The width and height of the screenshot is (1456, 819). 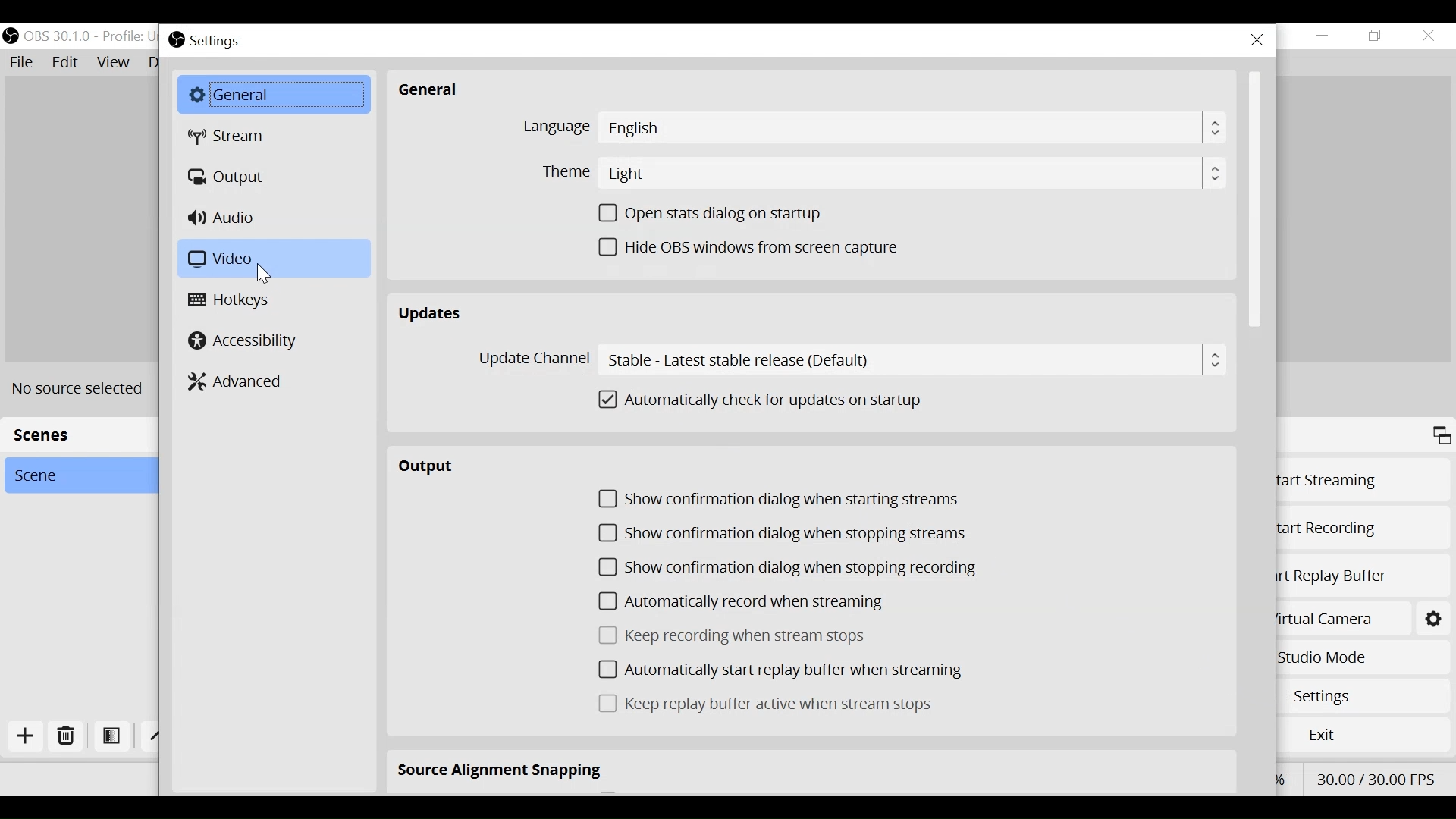 What do you see at coordinates (272, 95) in the screenshot?
I see `General` at bounding box center [272, 95].